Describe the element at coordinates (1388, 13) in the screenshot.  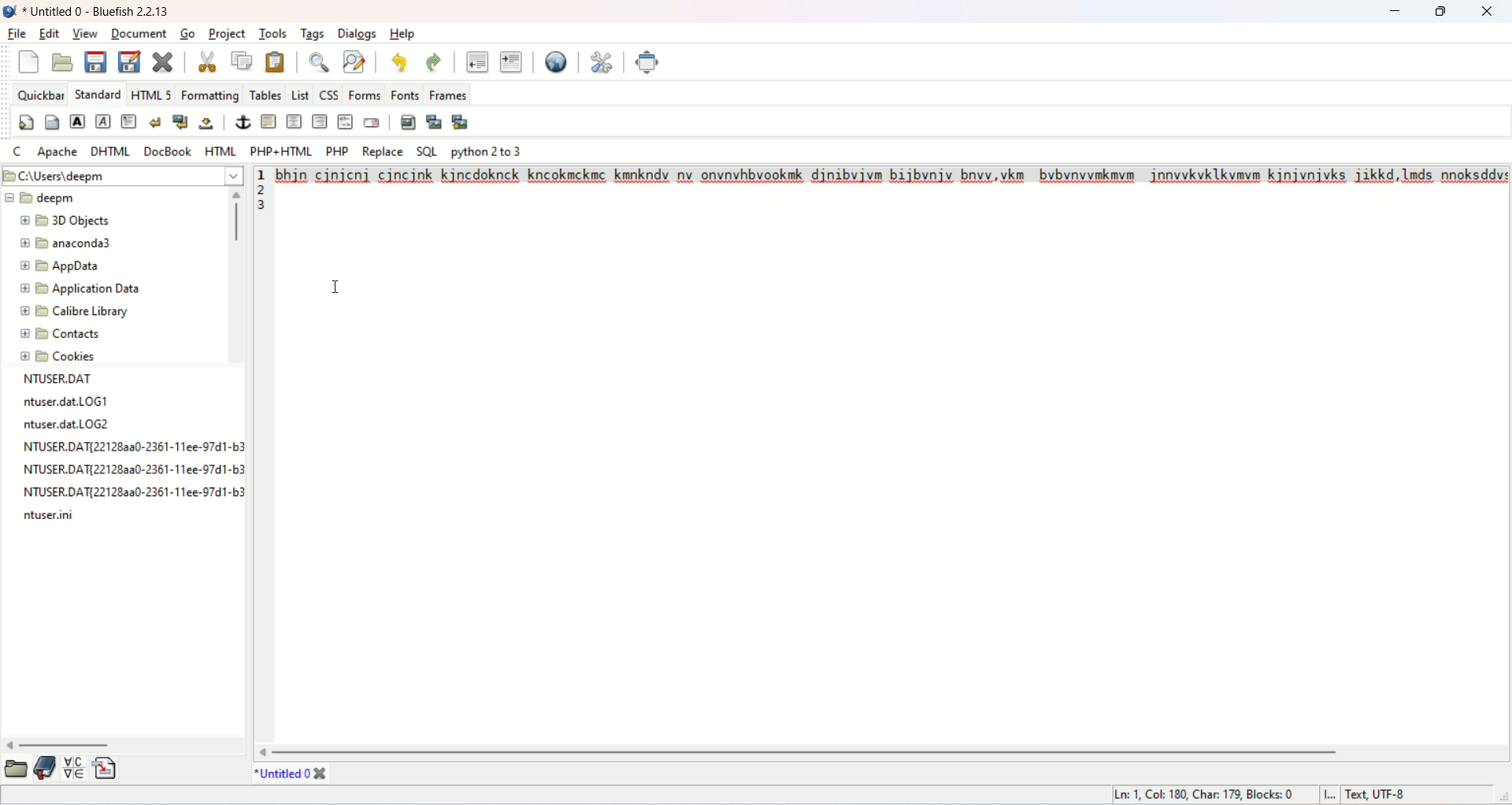
I see `minimize` at that location.